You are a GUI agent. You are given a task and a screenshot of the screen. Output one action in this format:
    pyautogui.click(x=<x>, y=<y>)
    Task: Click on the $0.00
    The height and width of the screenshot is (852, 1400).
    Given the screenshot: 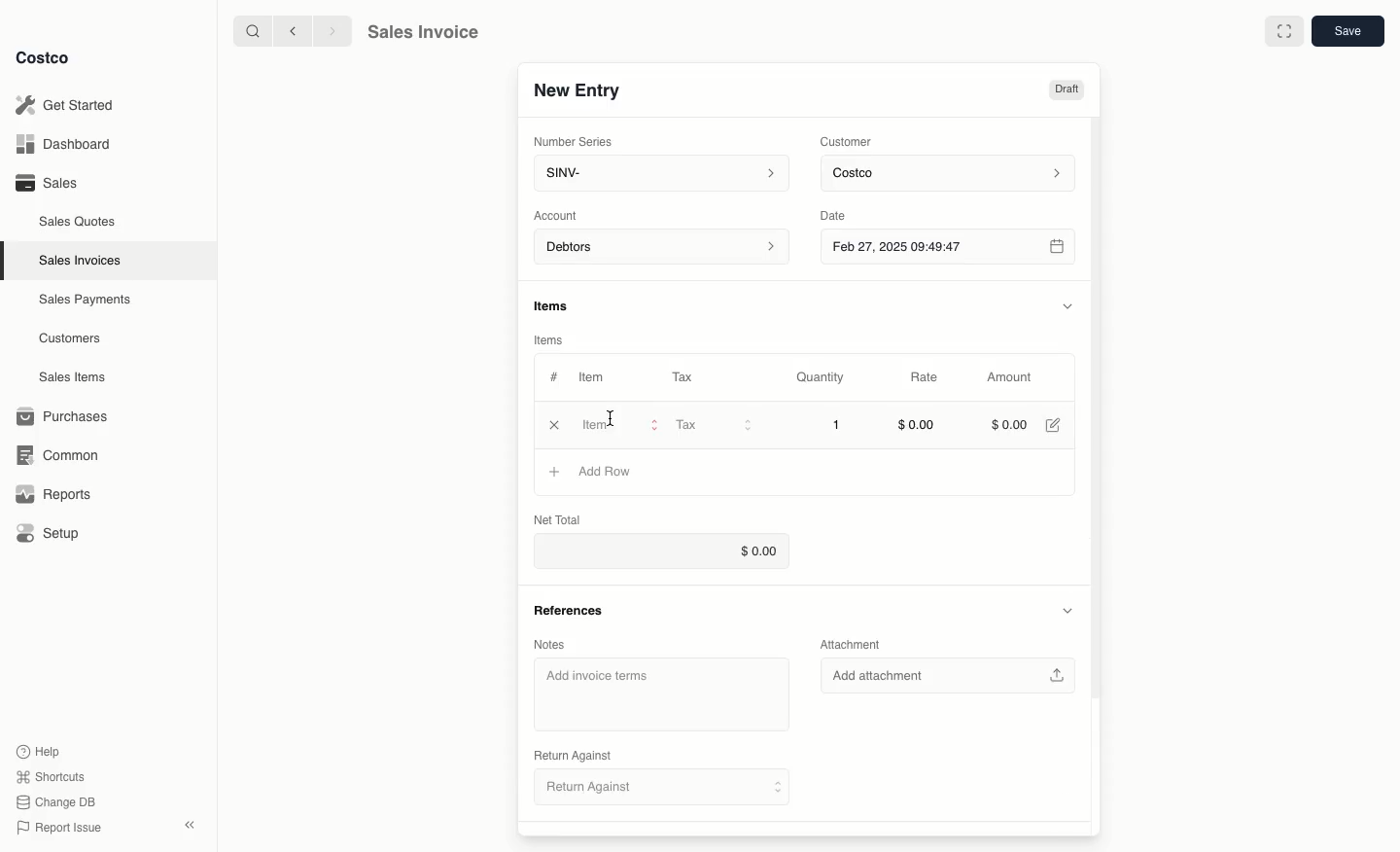 What is the action you would take?
    pyautogui.click(x=1010, y=423)
    